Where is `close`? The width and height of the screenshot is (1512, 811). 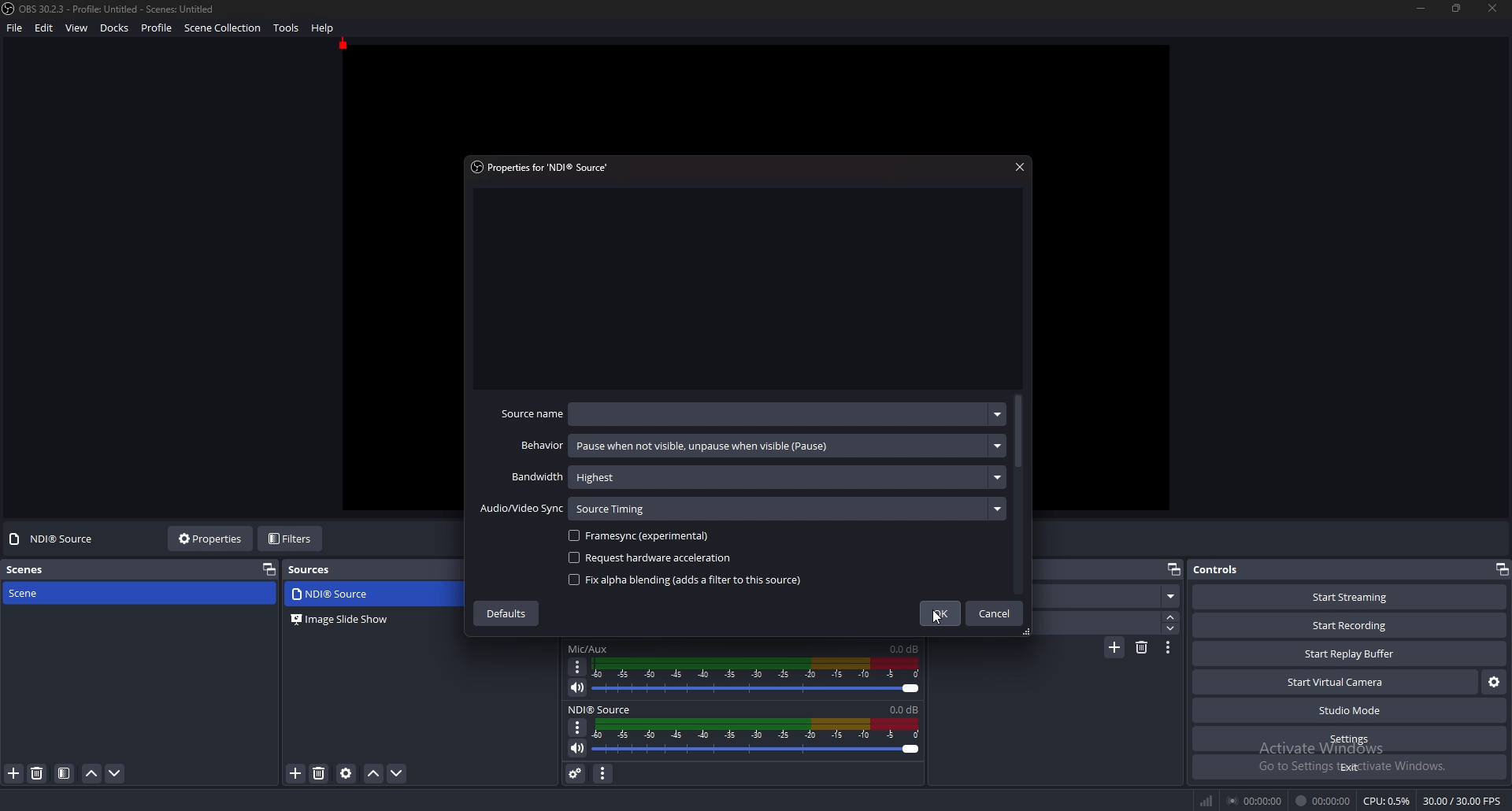
close is located at coordinates (1018, 167).